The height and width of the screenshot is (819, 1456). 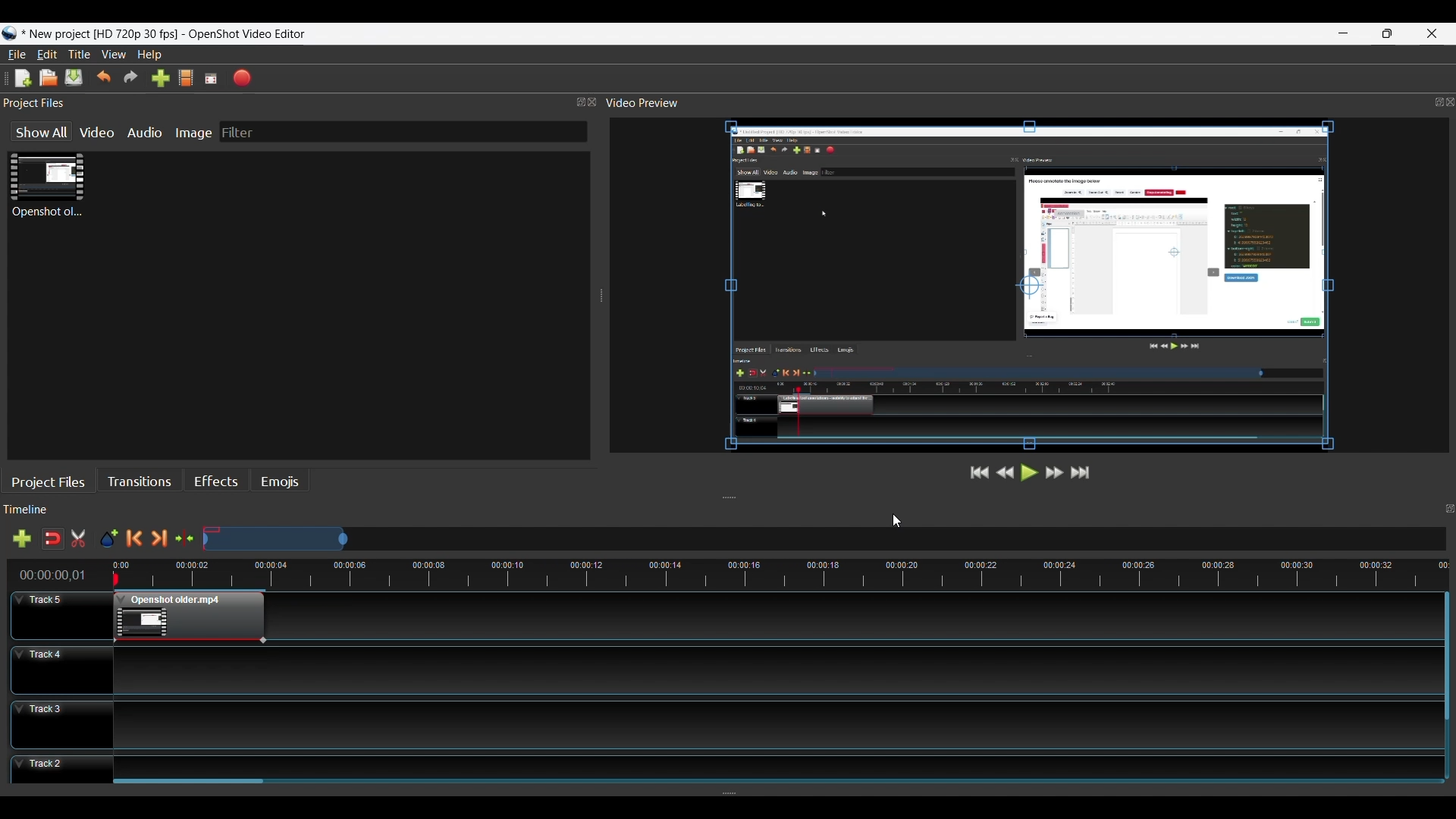 What do you see at coordinates (773, 723) in the screenshot?
I see `Track Panel` at bounding box center [773, 723].